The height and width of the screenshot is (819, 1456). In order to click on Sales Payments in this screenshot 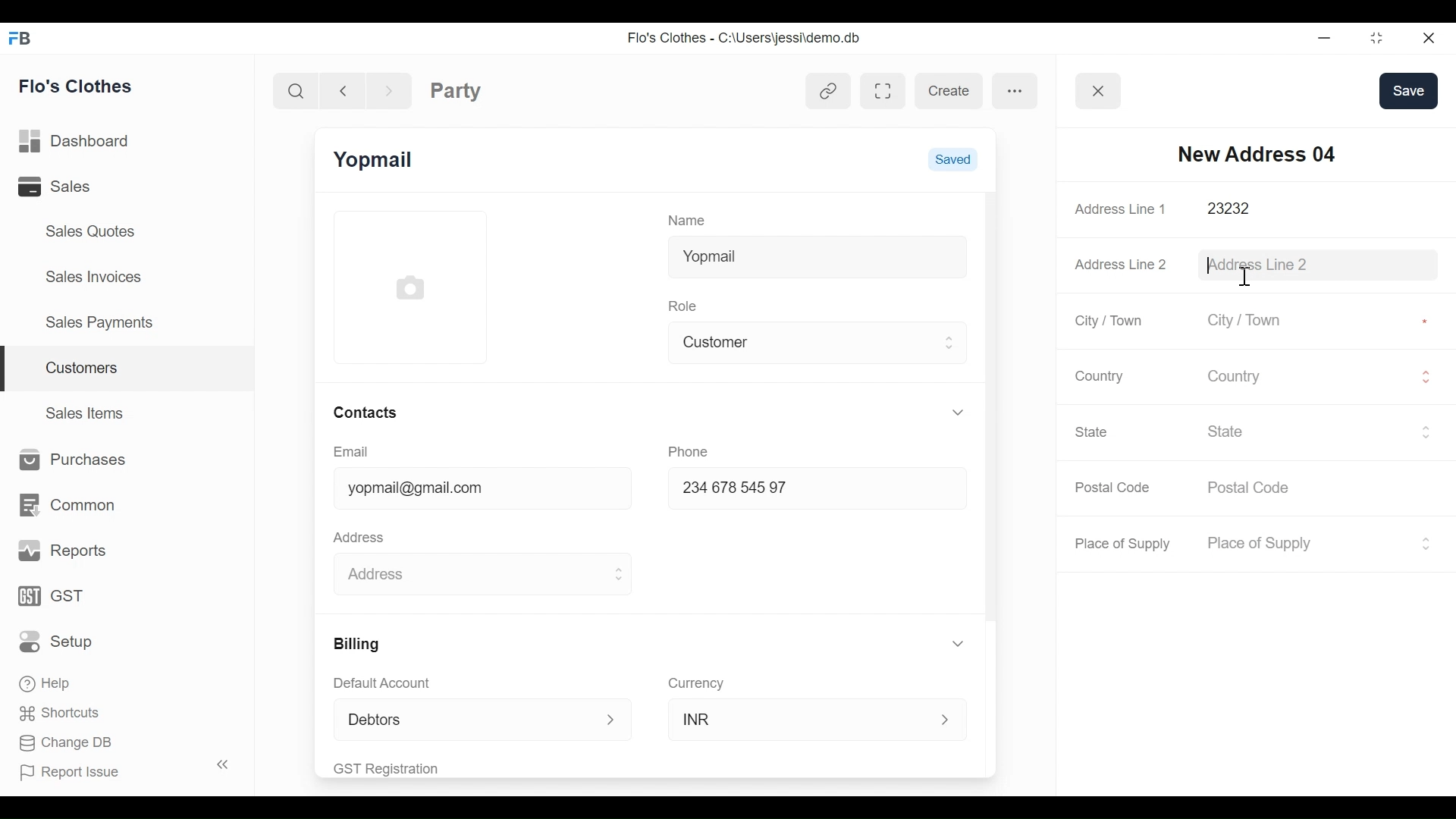, I will do `click(98, 322)`.